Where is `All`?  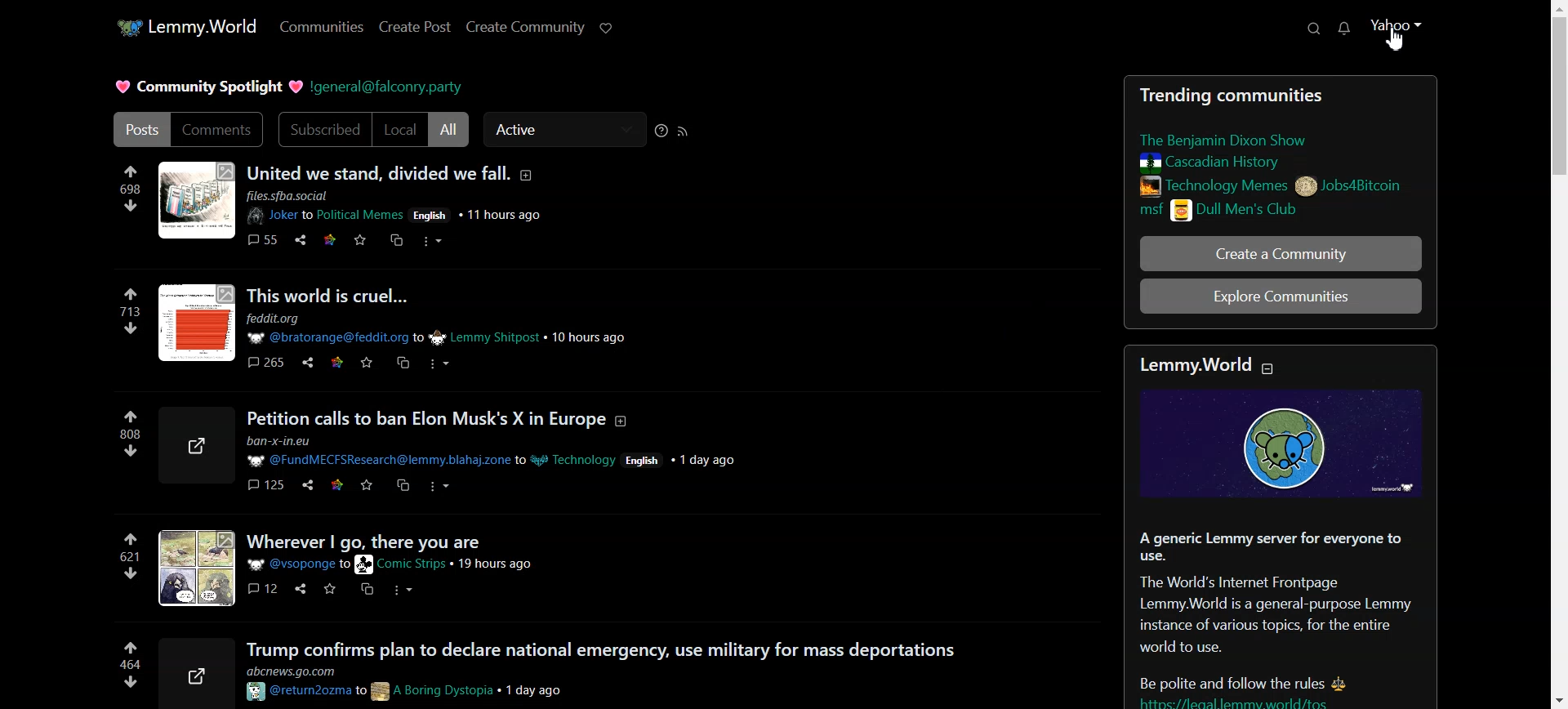 All is located at coordinates (449, 130).